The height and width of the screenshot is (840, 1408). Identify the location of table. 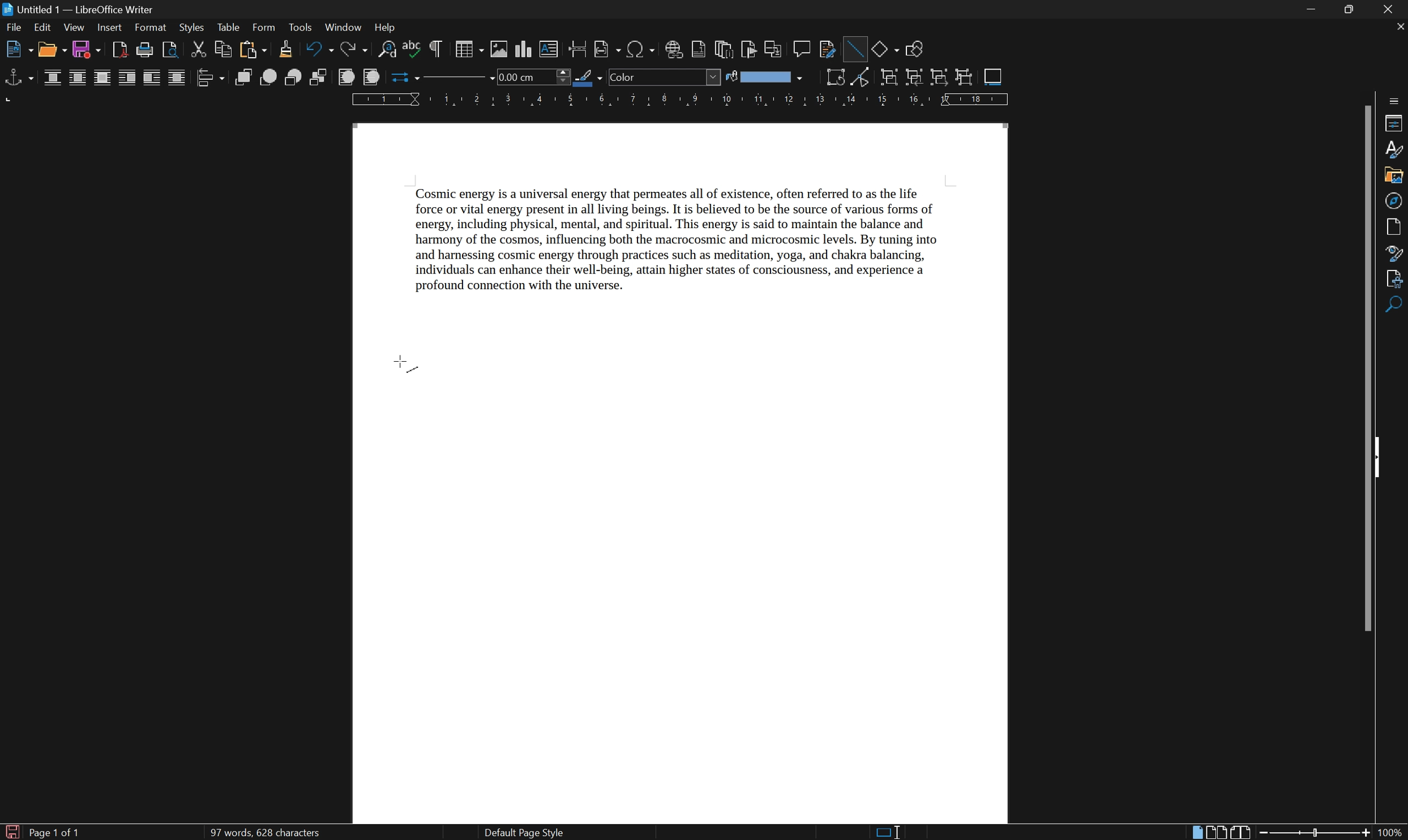
(228, 28).